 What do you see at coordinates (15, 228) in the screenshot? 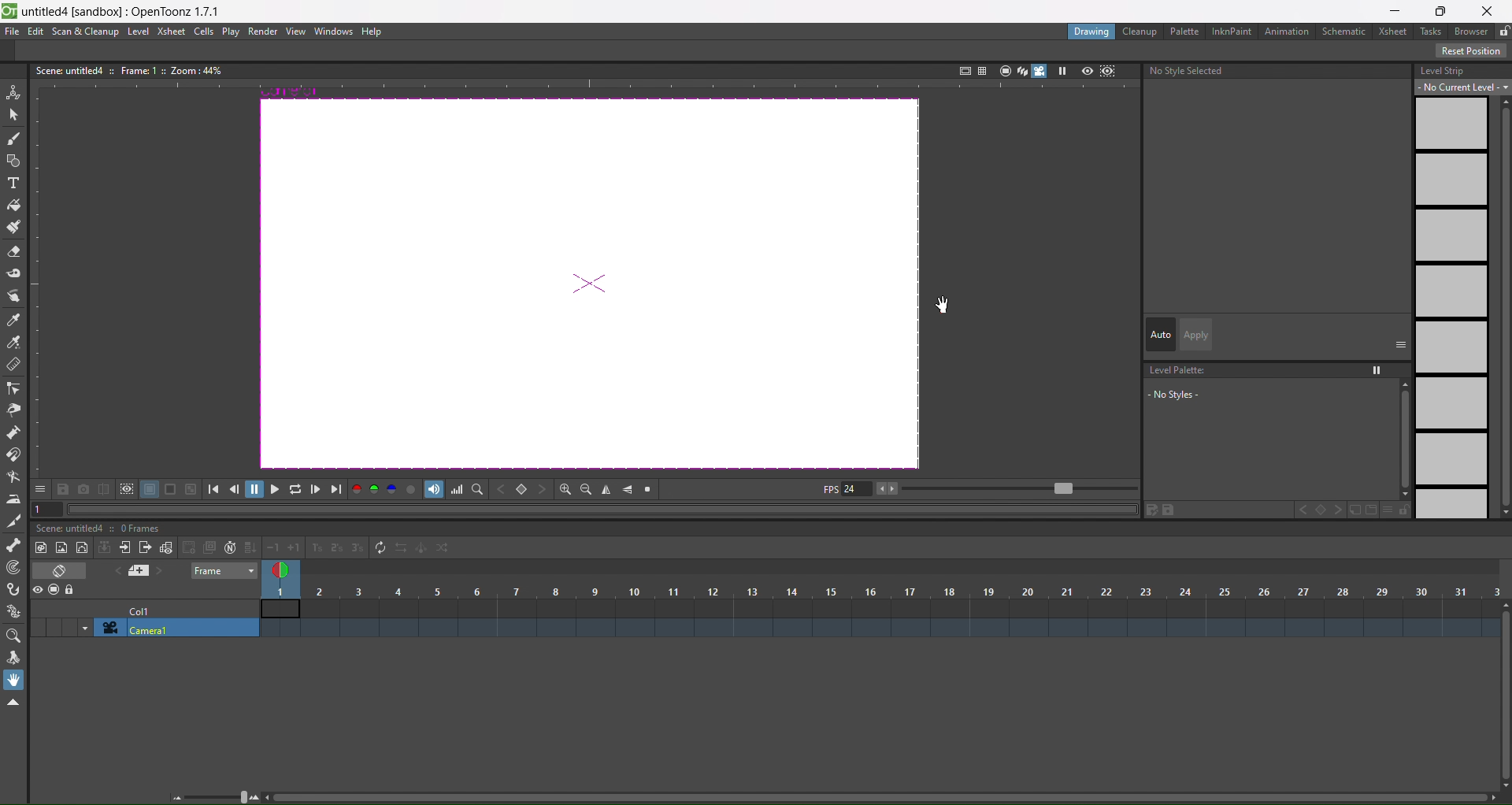
I see `paint brush tool` at bounding box center [15, 228].